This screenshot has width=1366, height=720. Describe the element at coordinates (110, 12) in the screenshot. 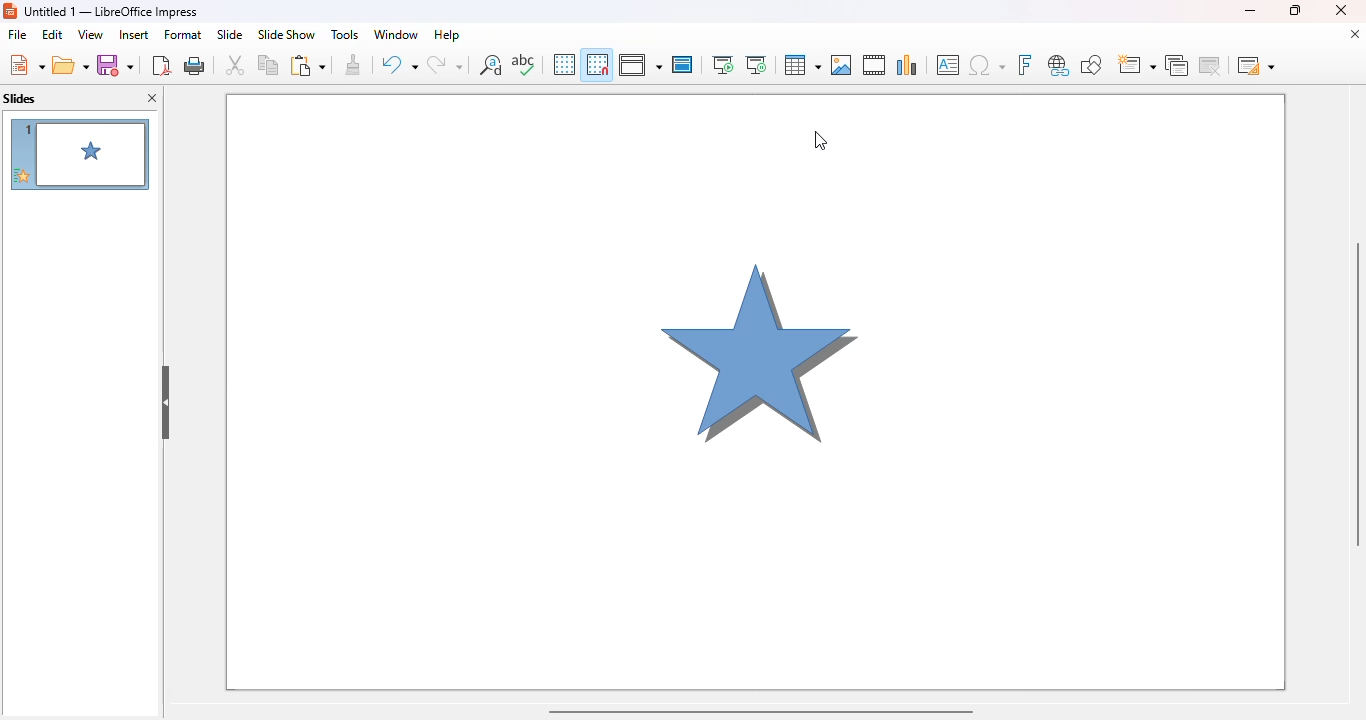

I see `Untitled 1 — LibreOffice Impress` at that location.